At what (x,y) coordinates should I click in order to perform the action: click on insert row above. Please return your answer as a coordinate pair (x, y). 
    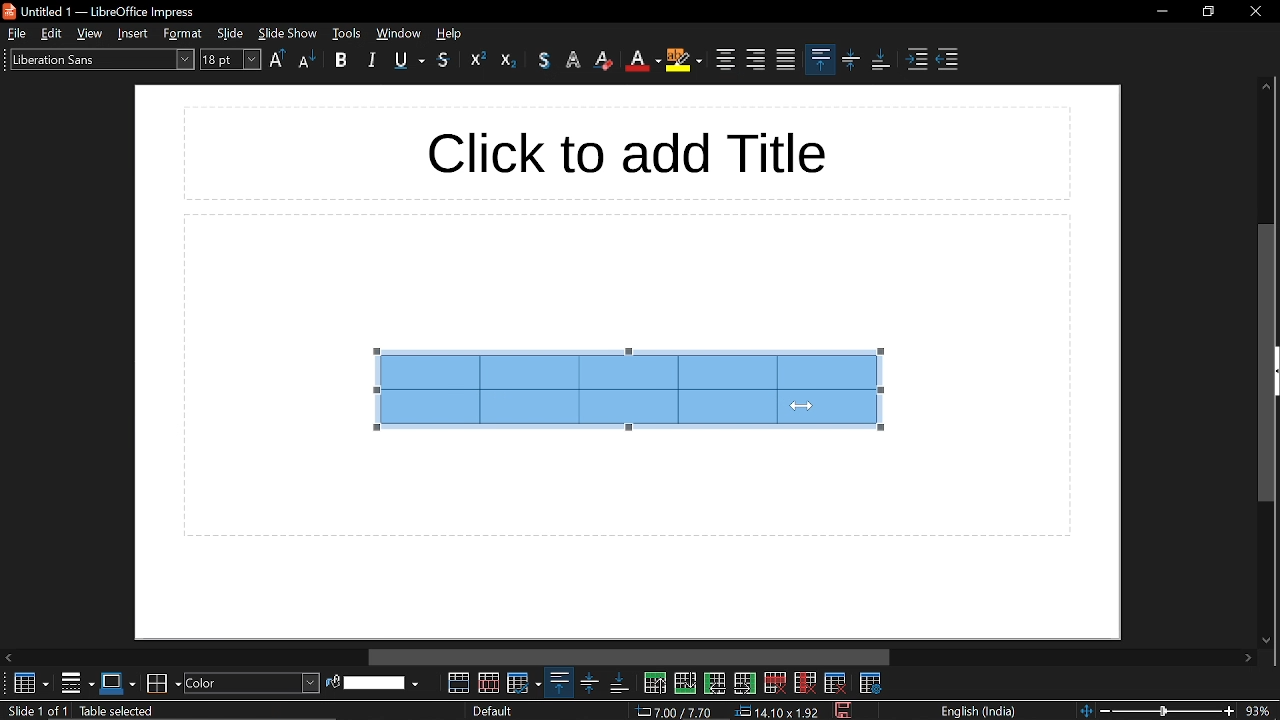
    Looking at the image, I should click on (654, 682).